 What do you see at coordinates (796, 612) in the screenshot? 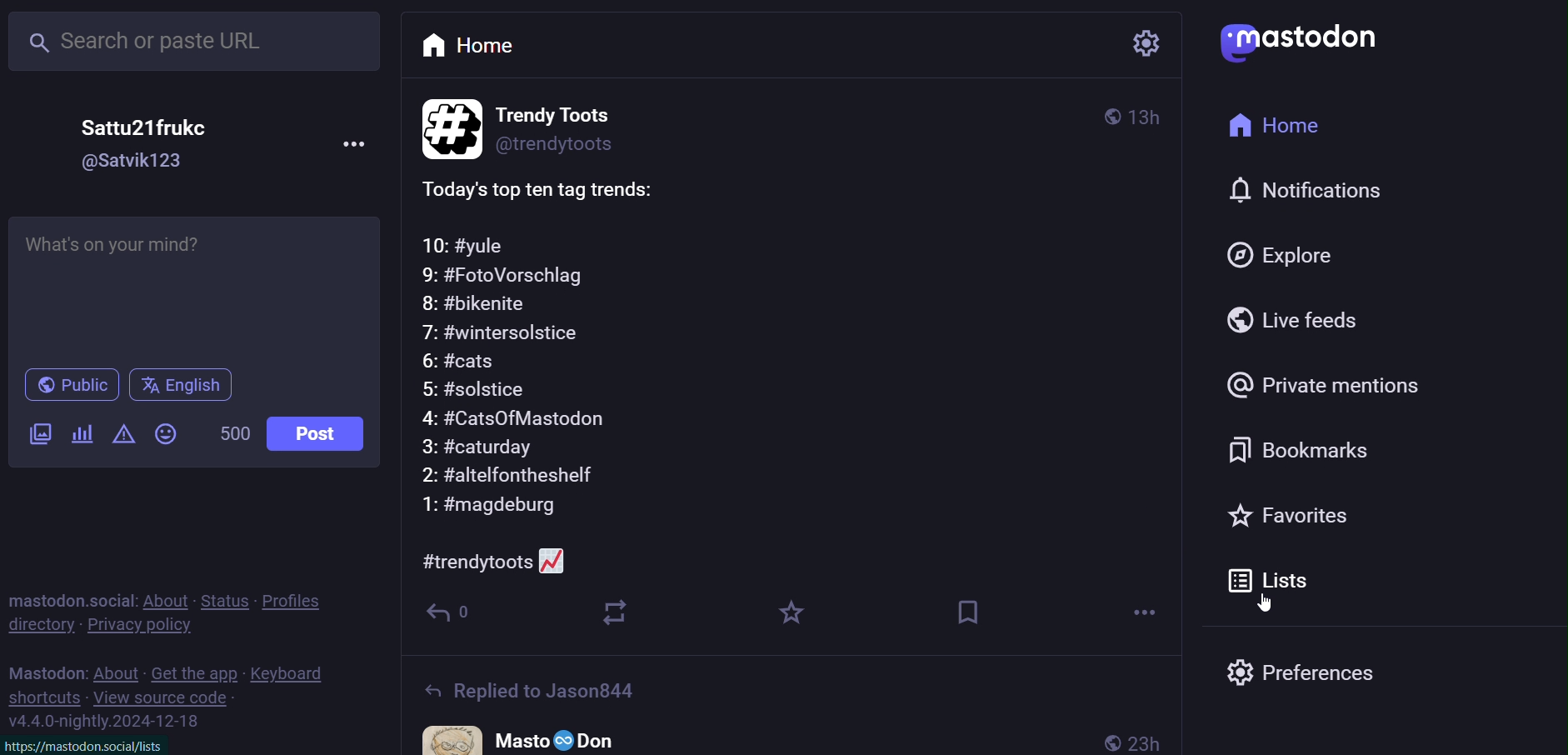
I see `favorites` at bounding box center [796, 612].